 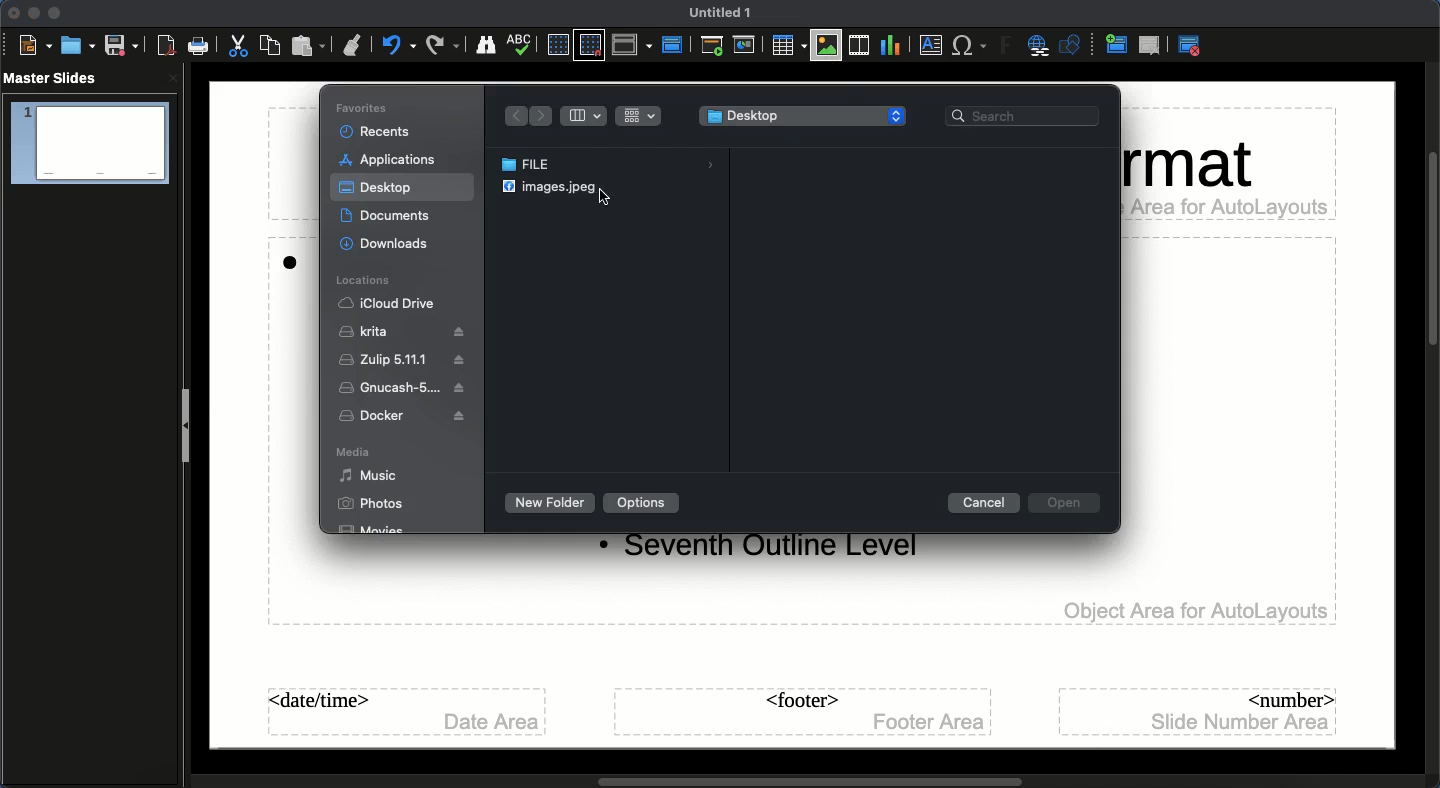 I want to click on Hyperlink, so click(x=1038, y=46).